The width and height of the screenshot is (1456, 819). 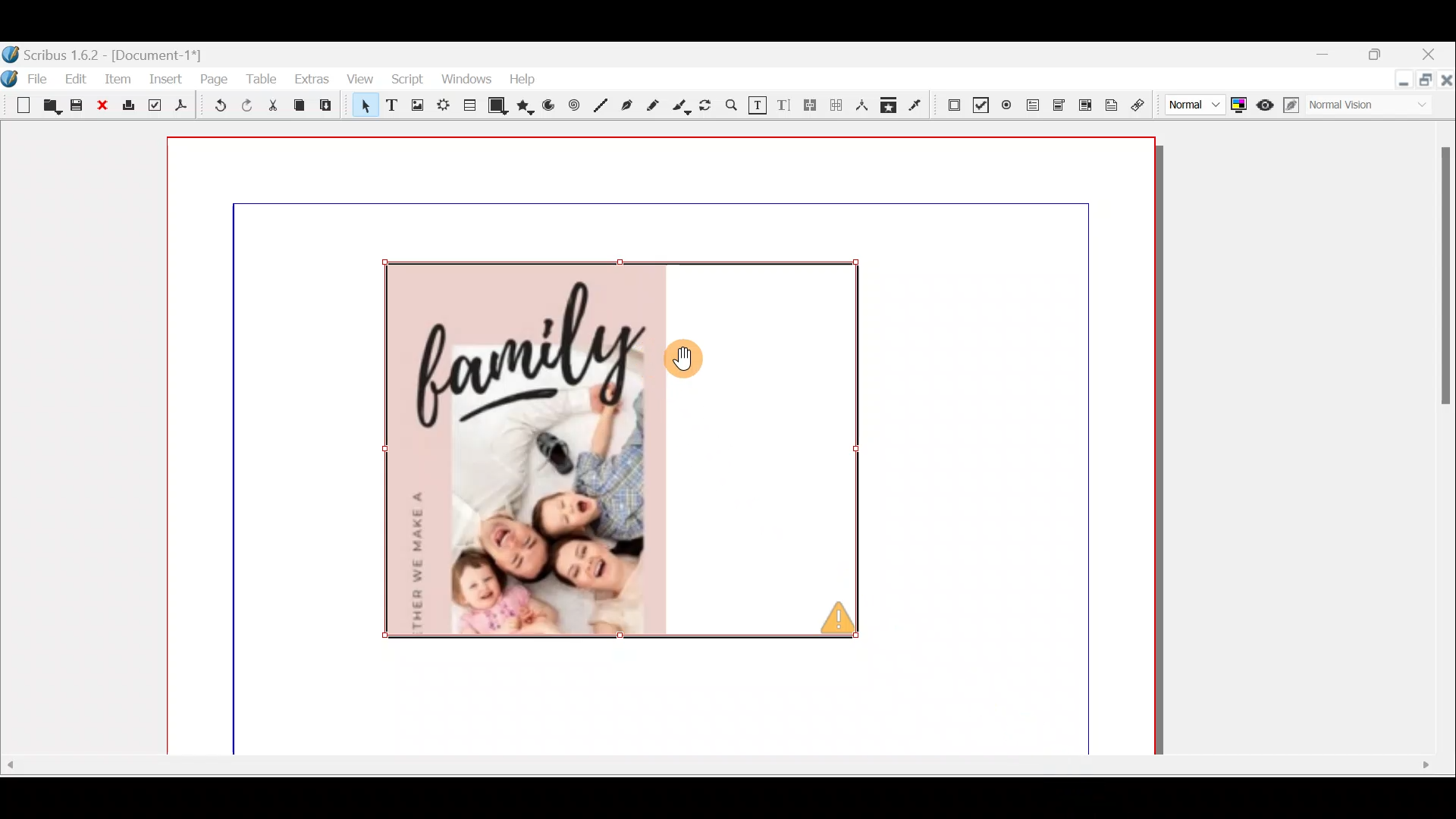 I want to click on Preview mode, so click(x=1267, y=105).